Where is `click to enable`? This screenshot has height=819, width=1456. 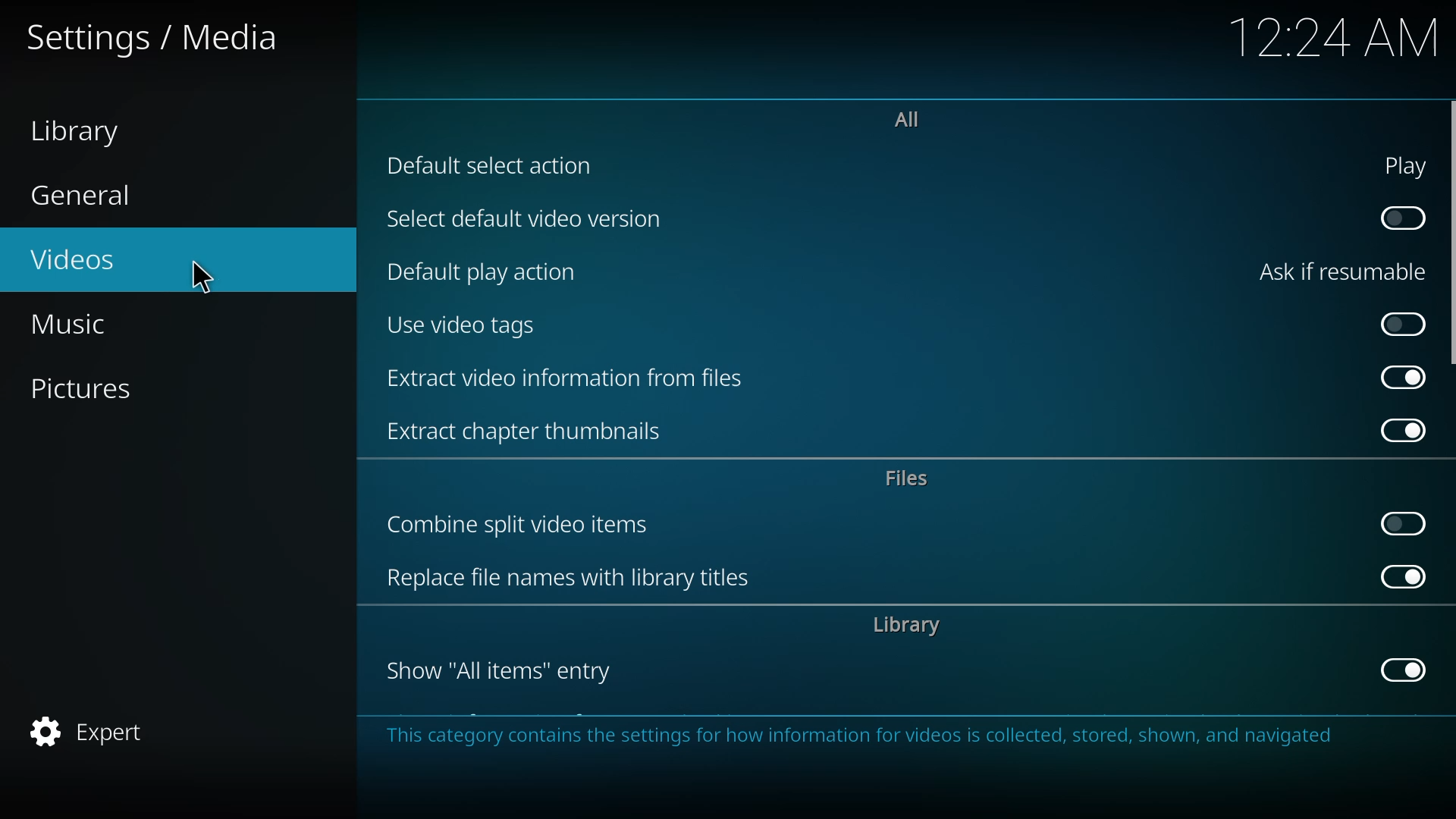 click to enable is located at coordinates (1402, 522).